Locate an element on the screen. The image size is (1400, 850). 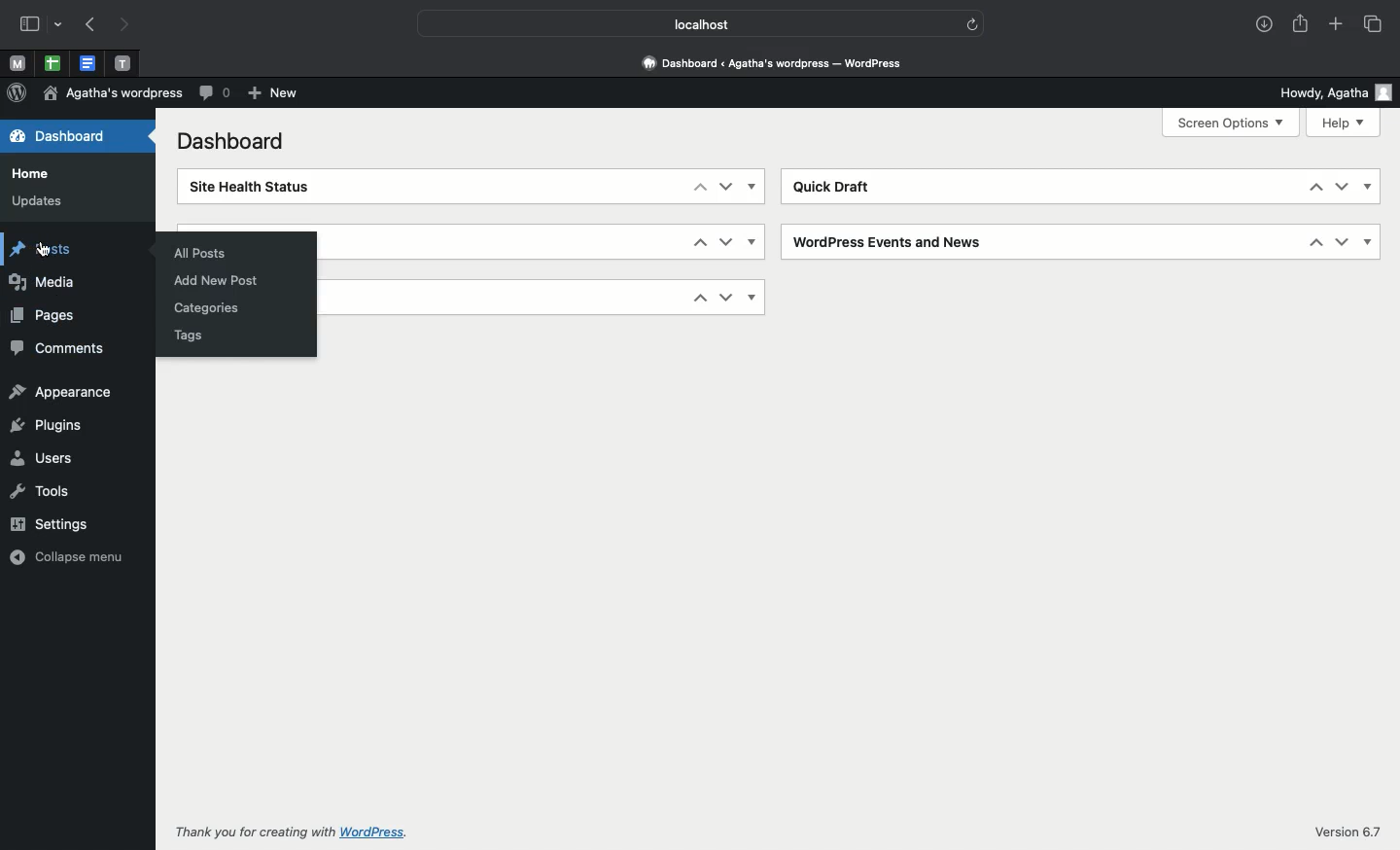
Share is located at coordinates (1303, 25).